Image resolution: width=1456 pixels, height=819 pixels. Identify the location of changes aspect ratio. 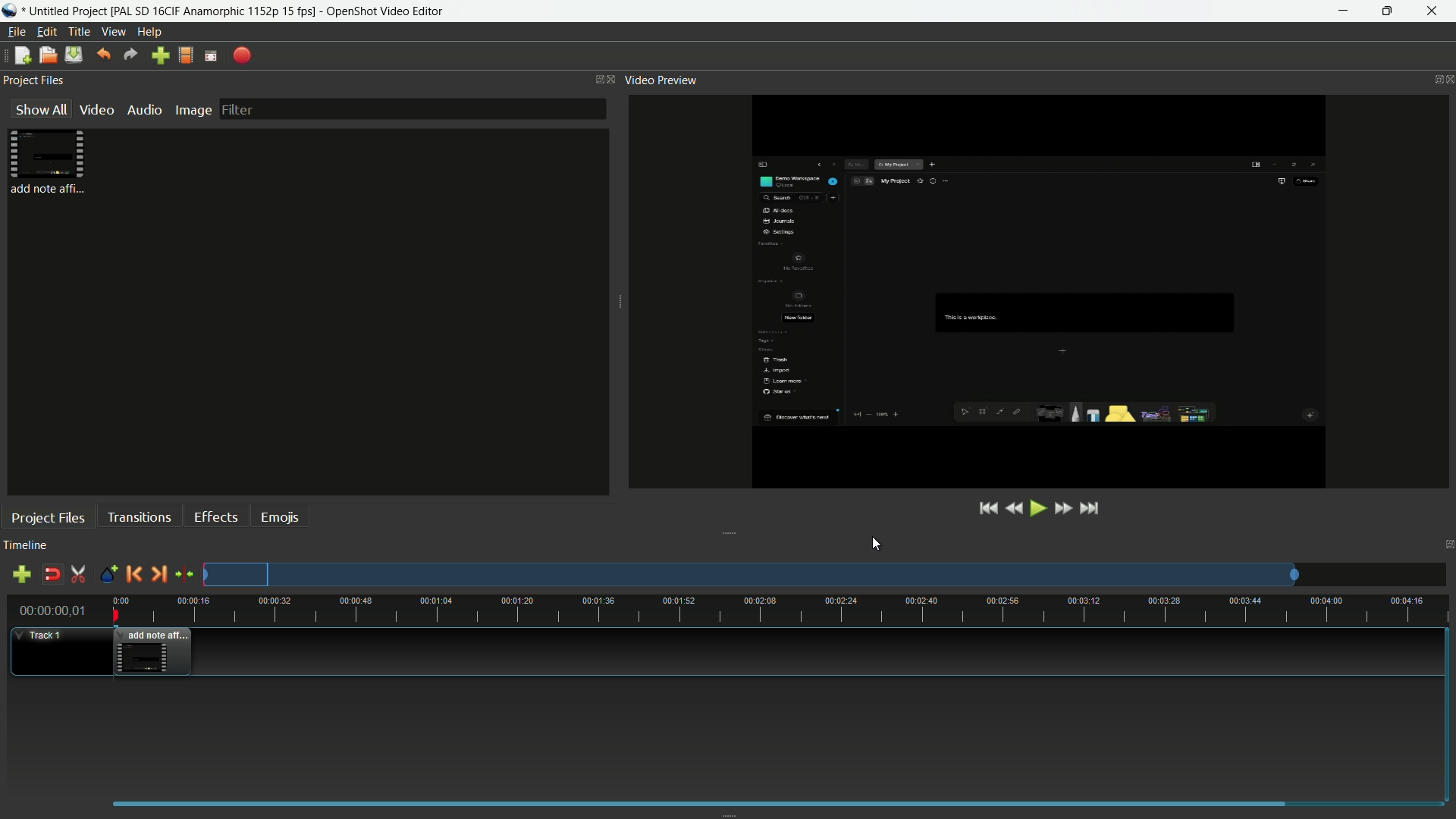
(1034, 292).